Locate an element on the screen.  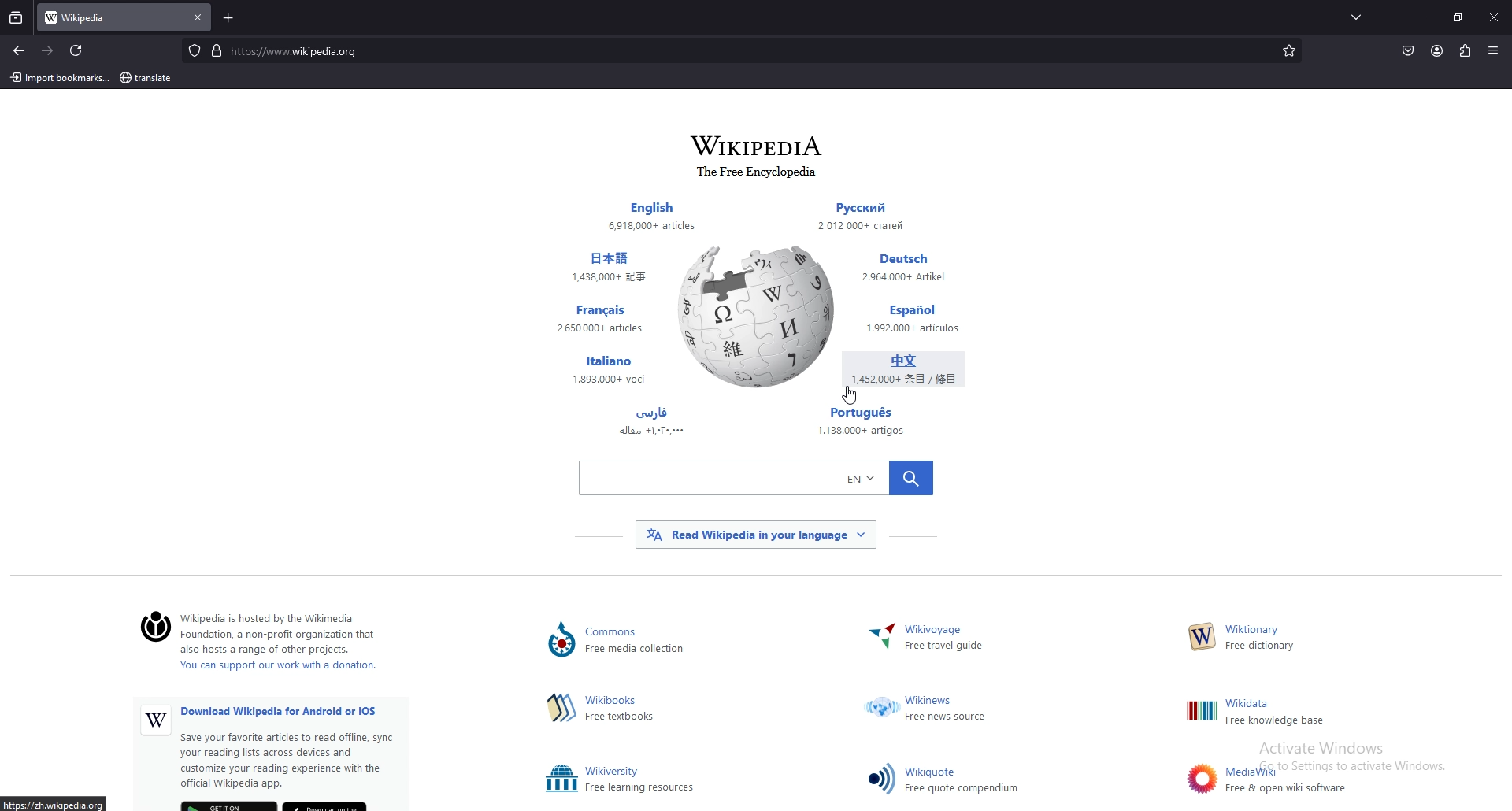
 is located at coordinates (156, 722).